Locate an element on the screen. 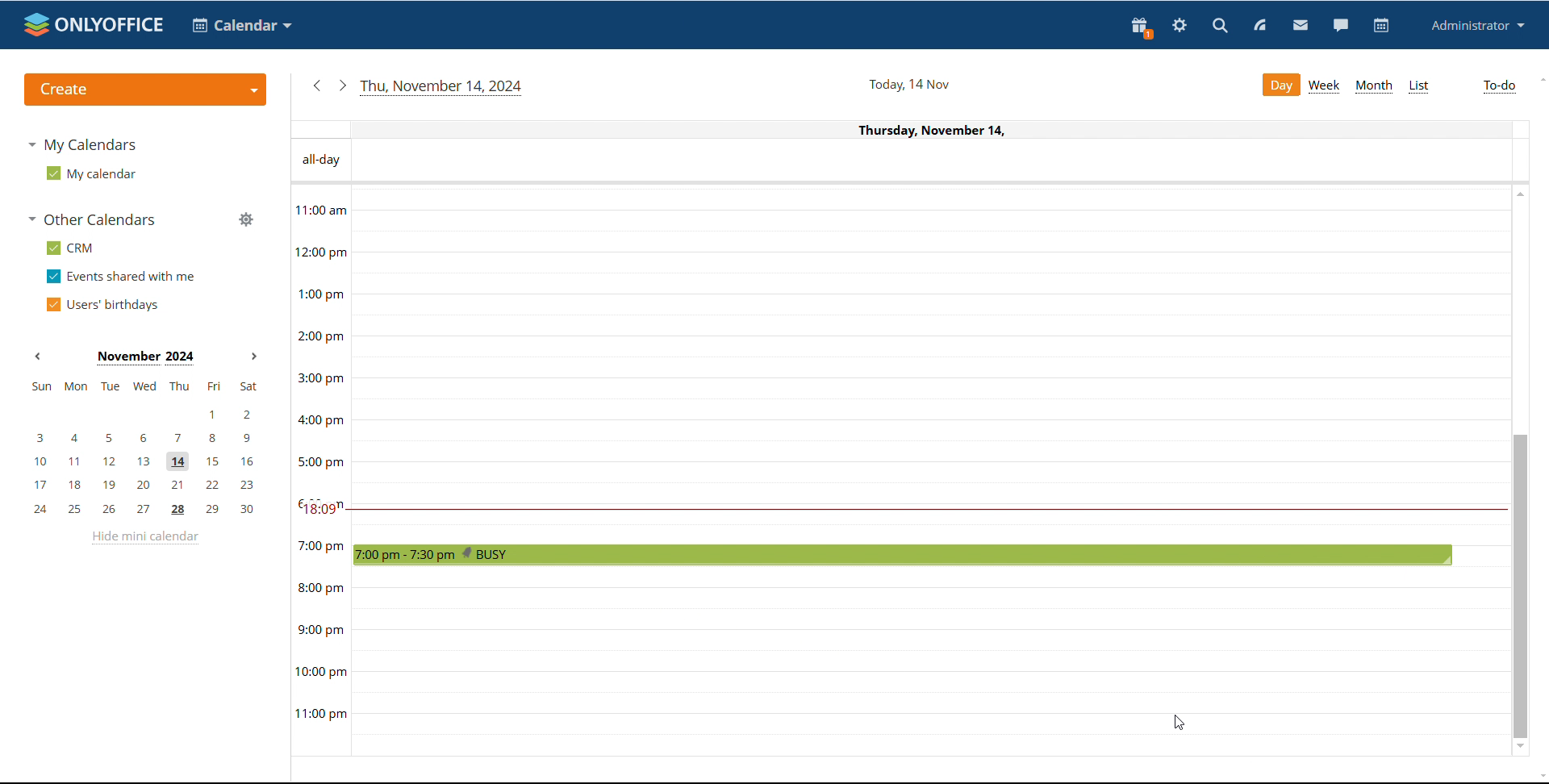 The height and width of the screenshot is (784, 1549). feed is located at coordinates (1262, 25).